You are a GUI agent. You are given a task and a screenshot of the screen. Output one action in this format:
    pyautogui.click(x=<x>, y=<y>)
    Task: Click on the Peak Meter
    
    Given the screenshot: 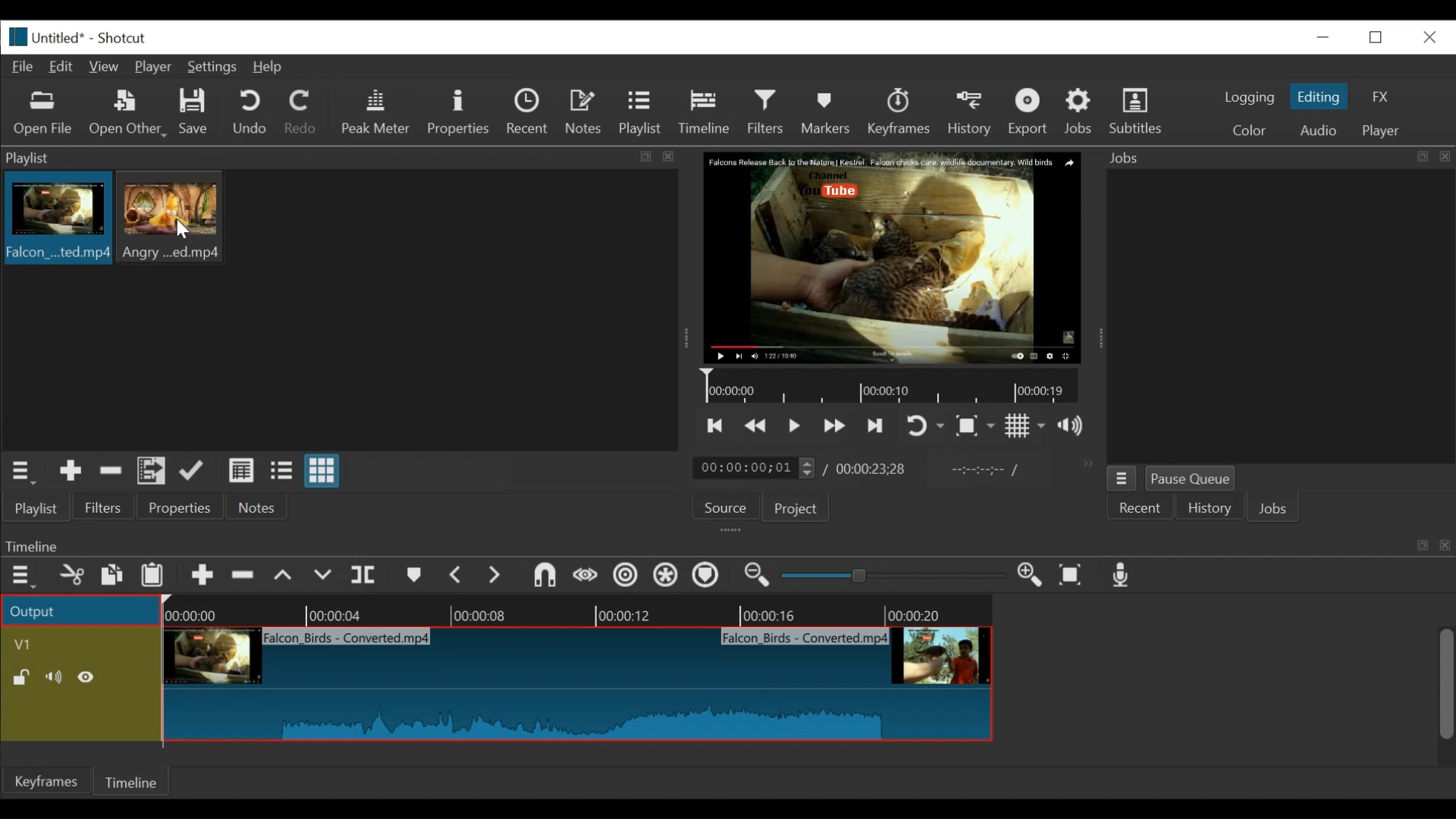 What is the action you would take?
    pyautogui.click(x=378, y=112)
    